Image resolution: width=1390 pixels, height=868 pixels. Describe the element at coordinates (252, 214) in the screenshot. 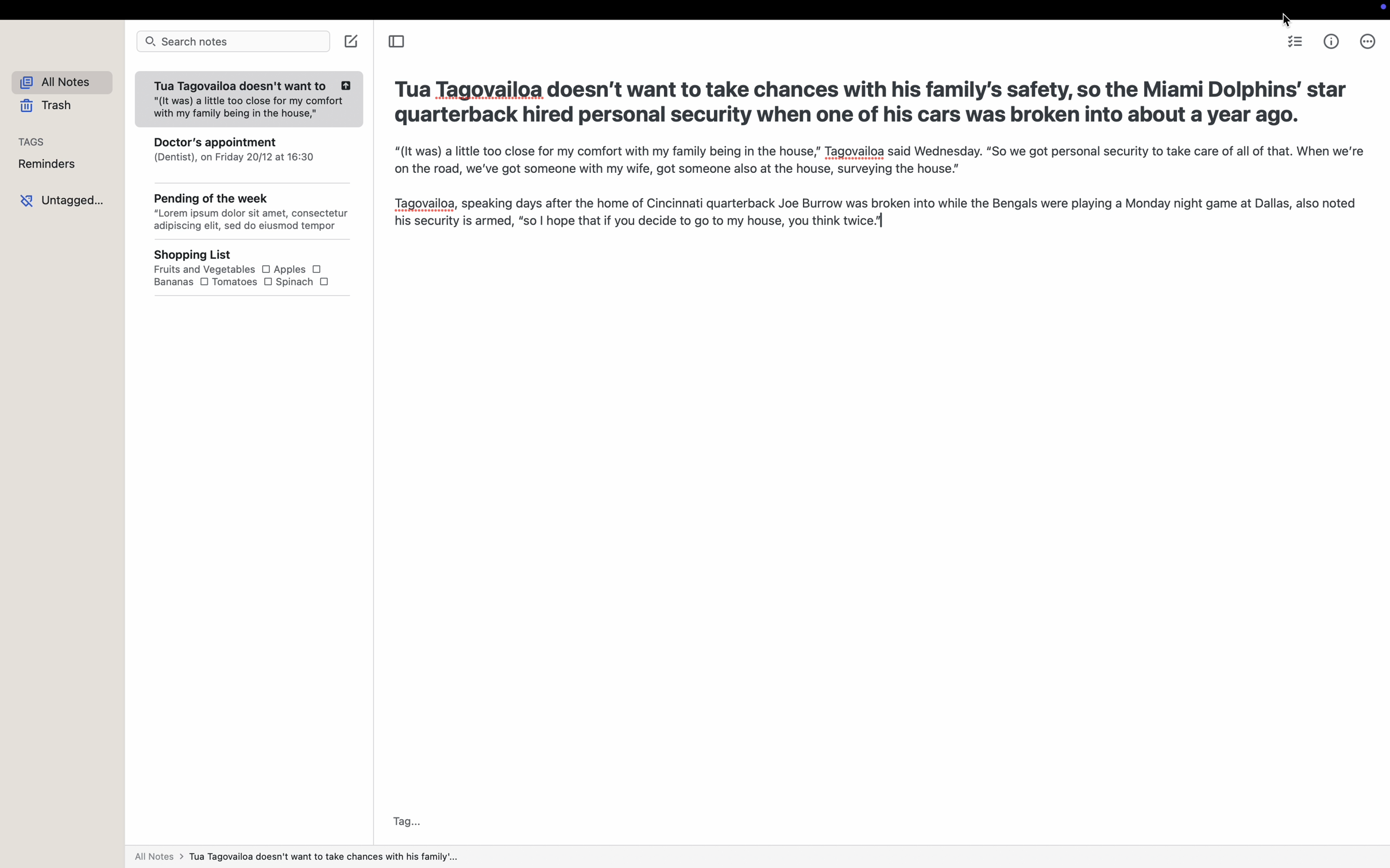

I see `Pending of the week
“Lorem ipsum dolor sit amet, consectetur
adipiscing elit, sed do eiusmod tempor` at that location.